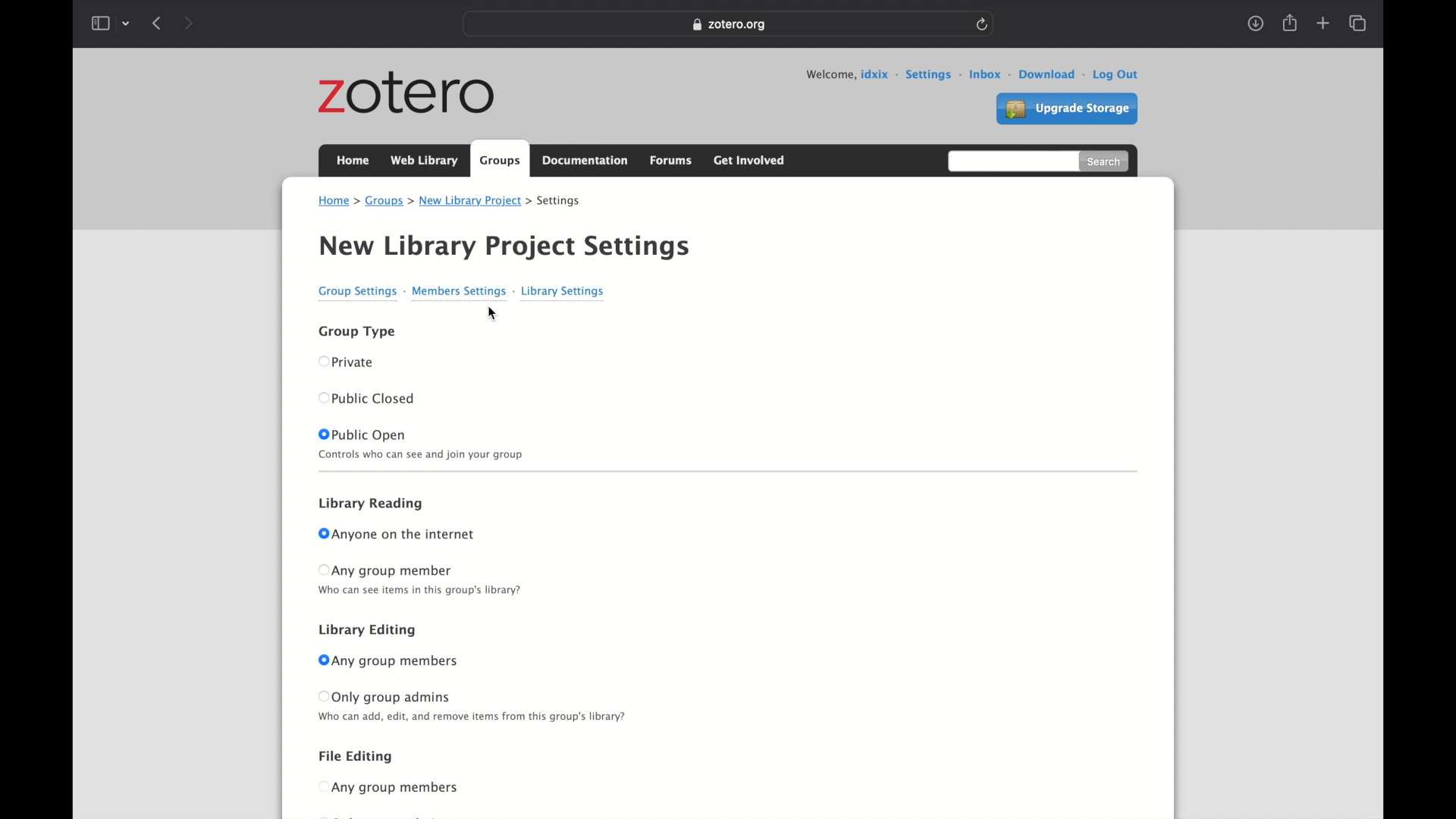  Describe the element at coordinates (1052, 74) in the screenshot. I see `download` at that location.